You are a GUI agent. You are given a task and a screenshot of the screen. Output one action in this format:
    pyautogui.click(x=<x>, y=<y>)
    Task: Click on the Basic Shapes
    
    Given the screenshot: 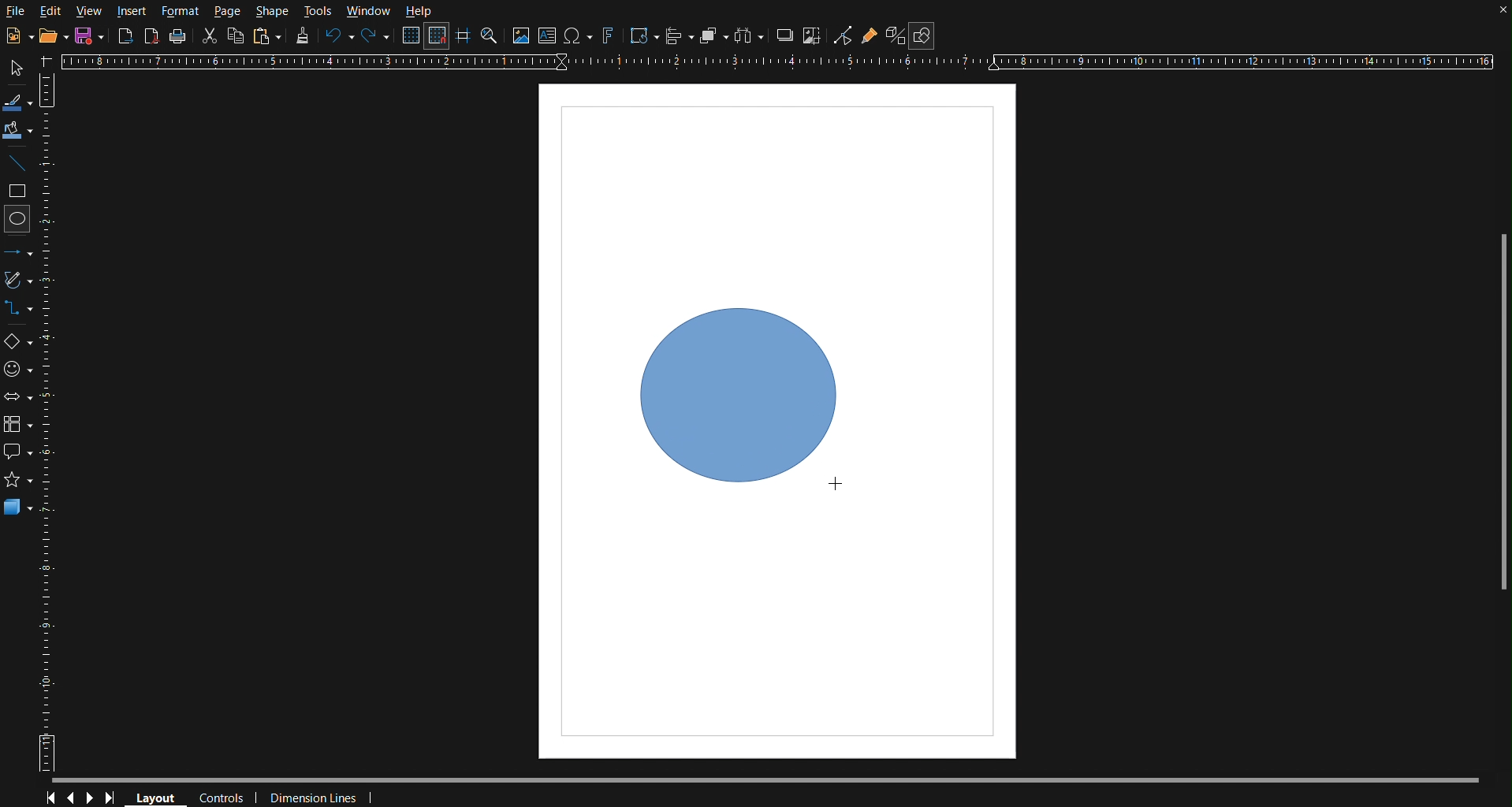 What is the action you would take?
    pyautogui.click(x=17, y=338)
    